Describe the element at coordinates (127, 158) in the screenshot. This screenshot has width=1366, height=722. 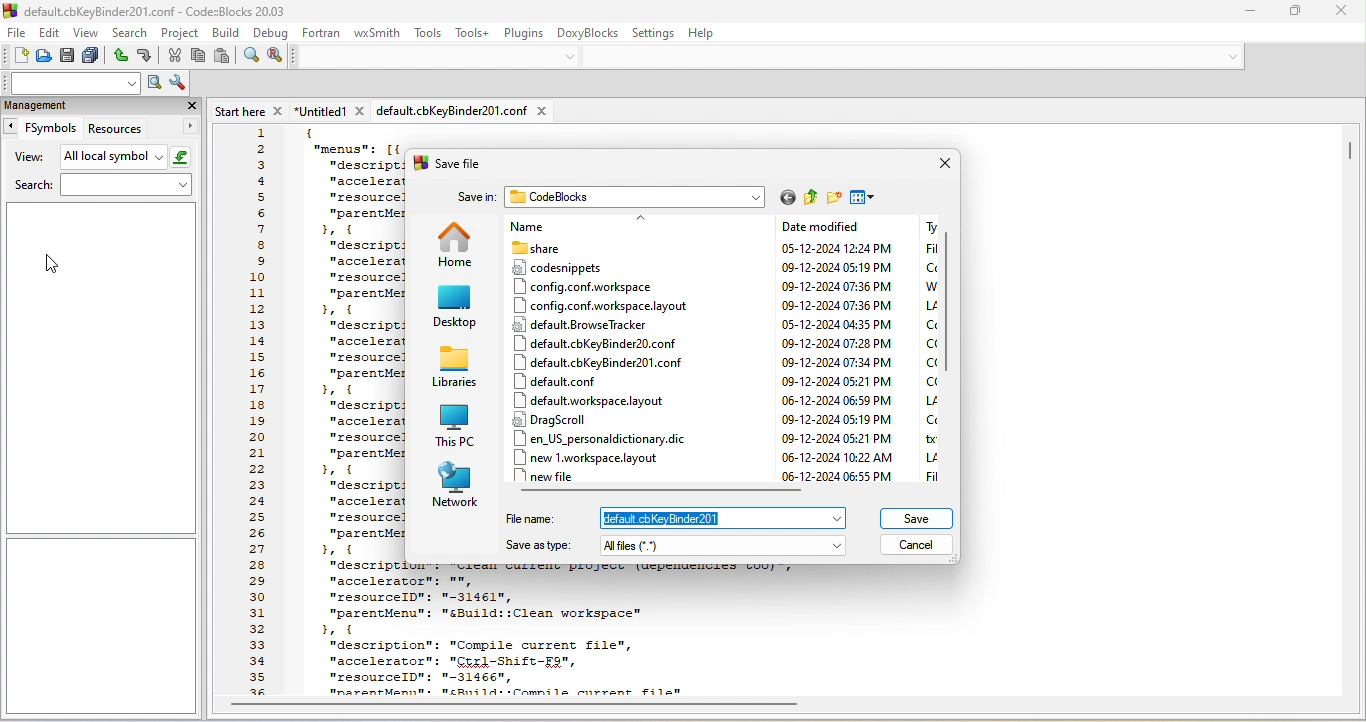
I see `all local symbol` at that location.